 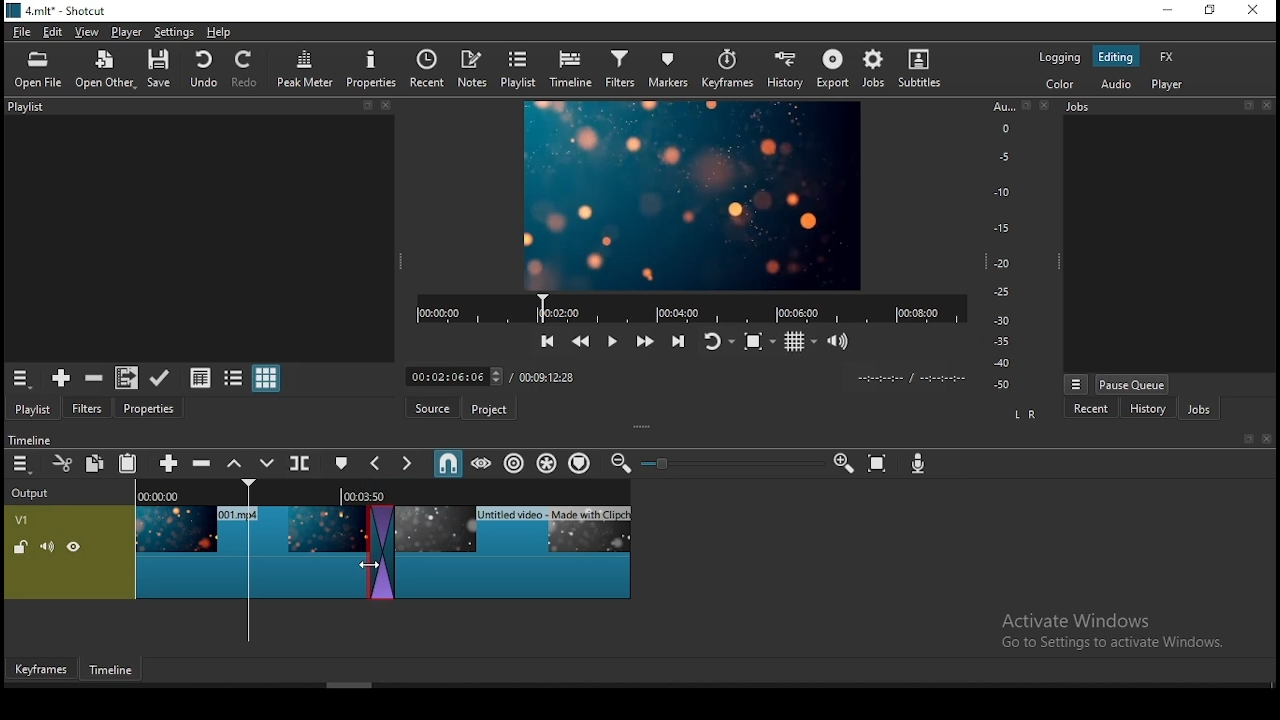 What do you see at coordinates (871, 69) in the screenshot?
I see `jobs` at bounding box center [871, 69].